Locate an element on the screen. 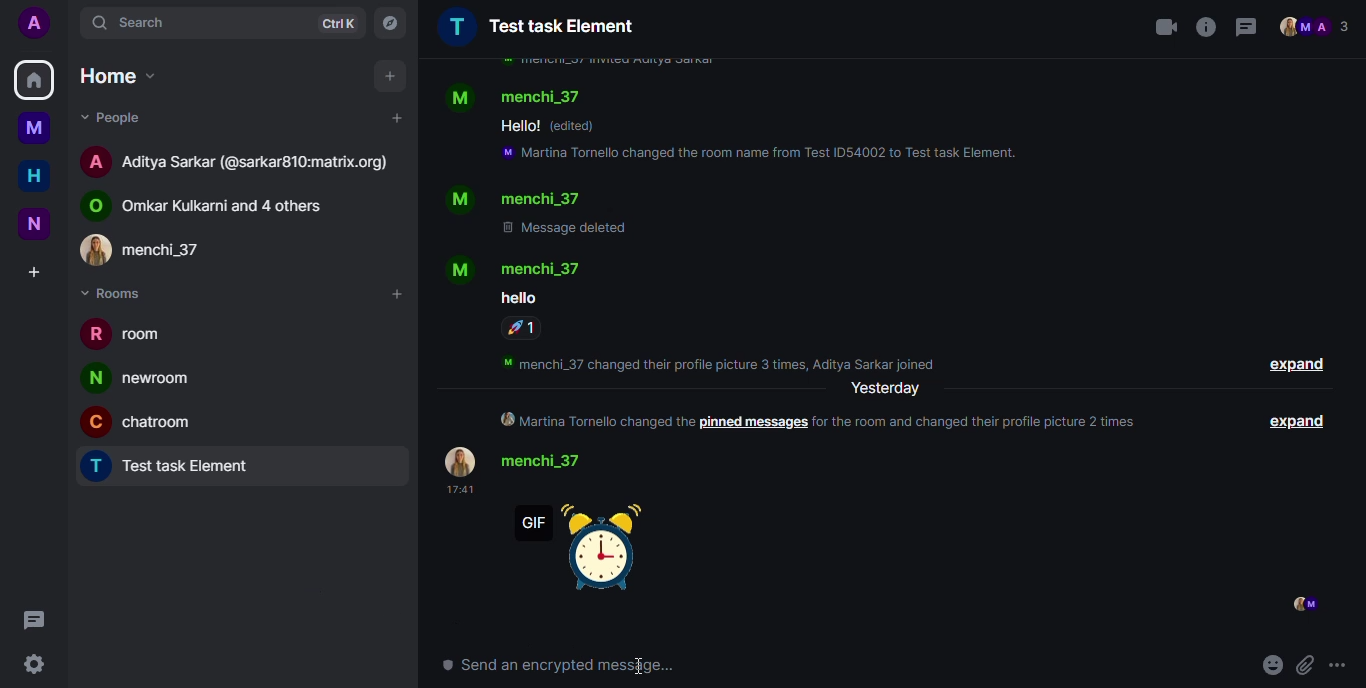 This screenshot has height=688, width=1366. menchi_37 is located at coordinates (159, 248).